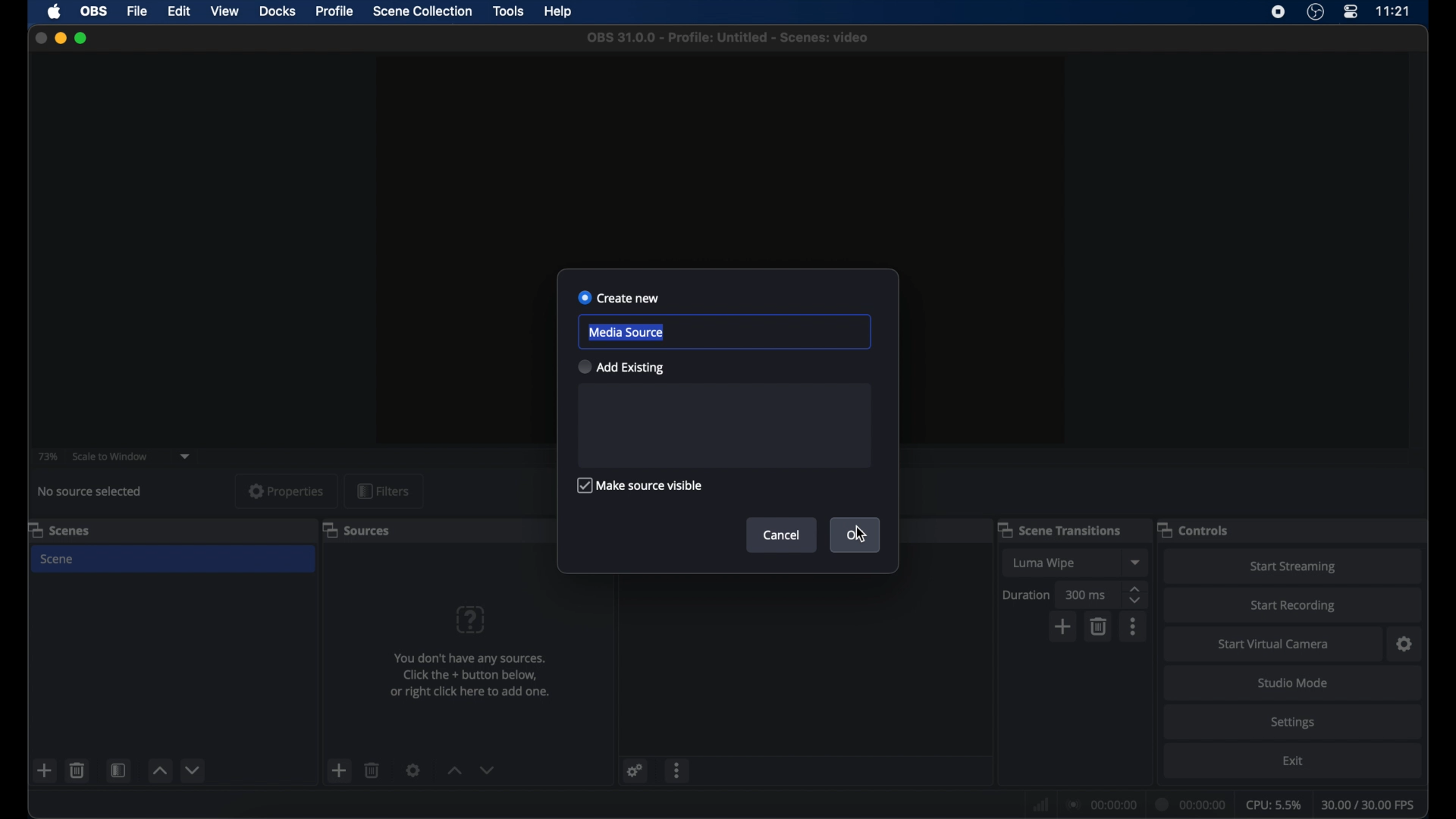  What do you see at coordinates (340, 770) in the screenshot?
I see `add` at bounding box center [340, 770].